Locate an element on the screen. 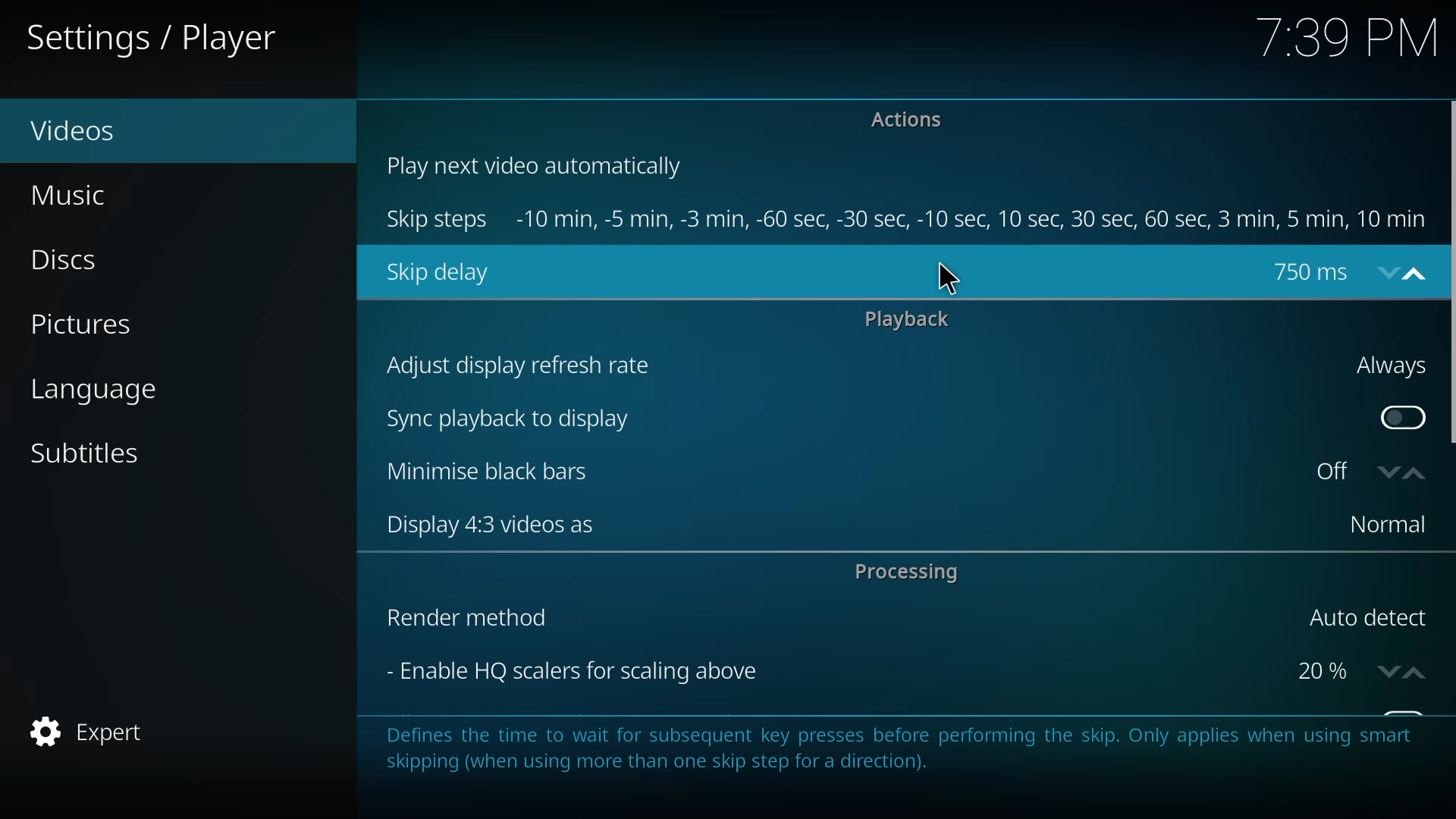 The width and height of the screenshot is (1456, 819). discs is located at coordinates (80, 262).